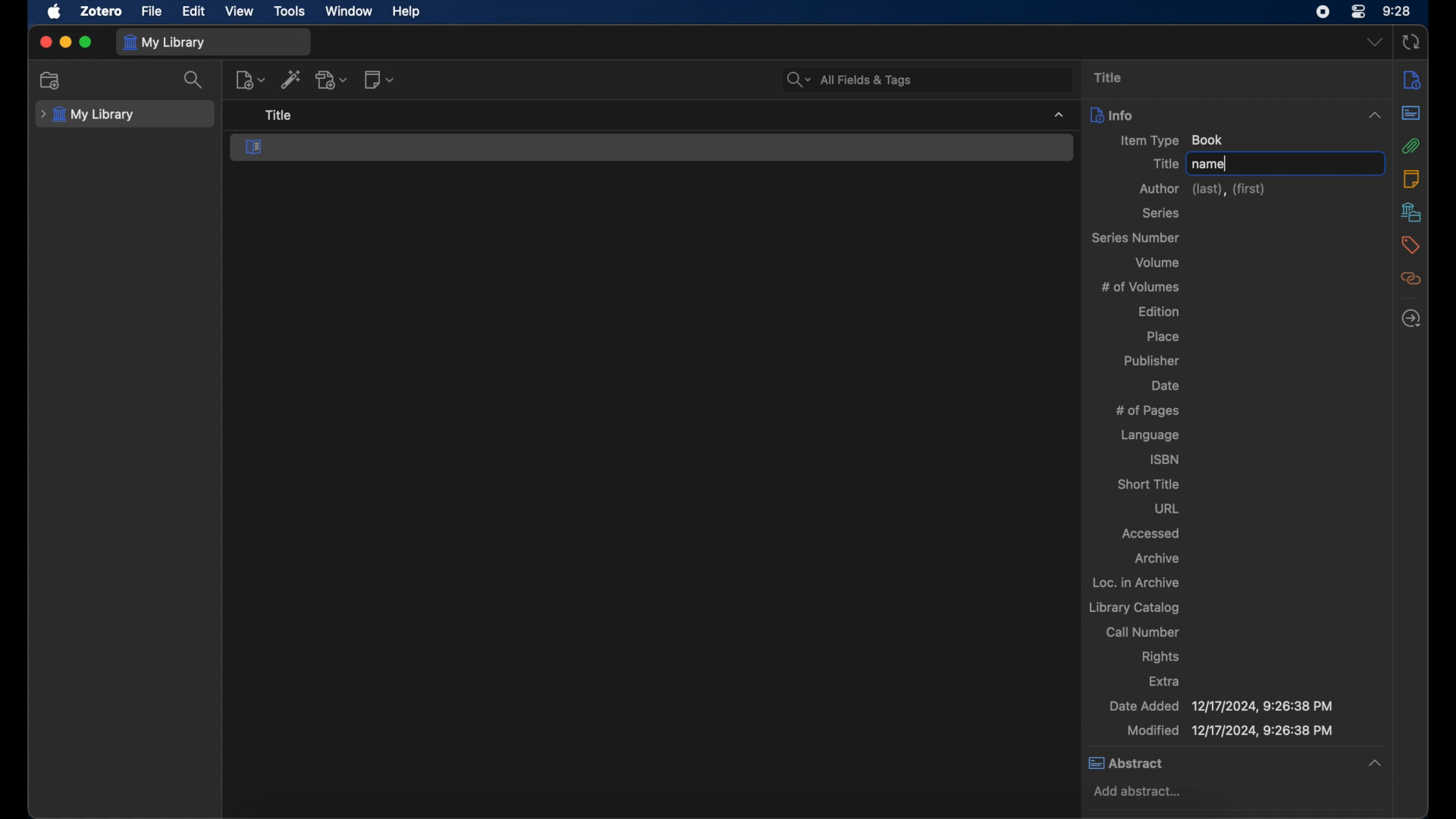  Describe the element at coordinates (1357, 12) in the screenshot. I see `control center` at that location.